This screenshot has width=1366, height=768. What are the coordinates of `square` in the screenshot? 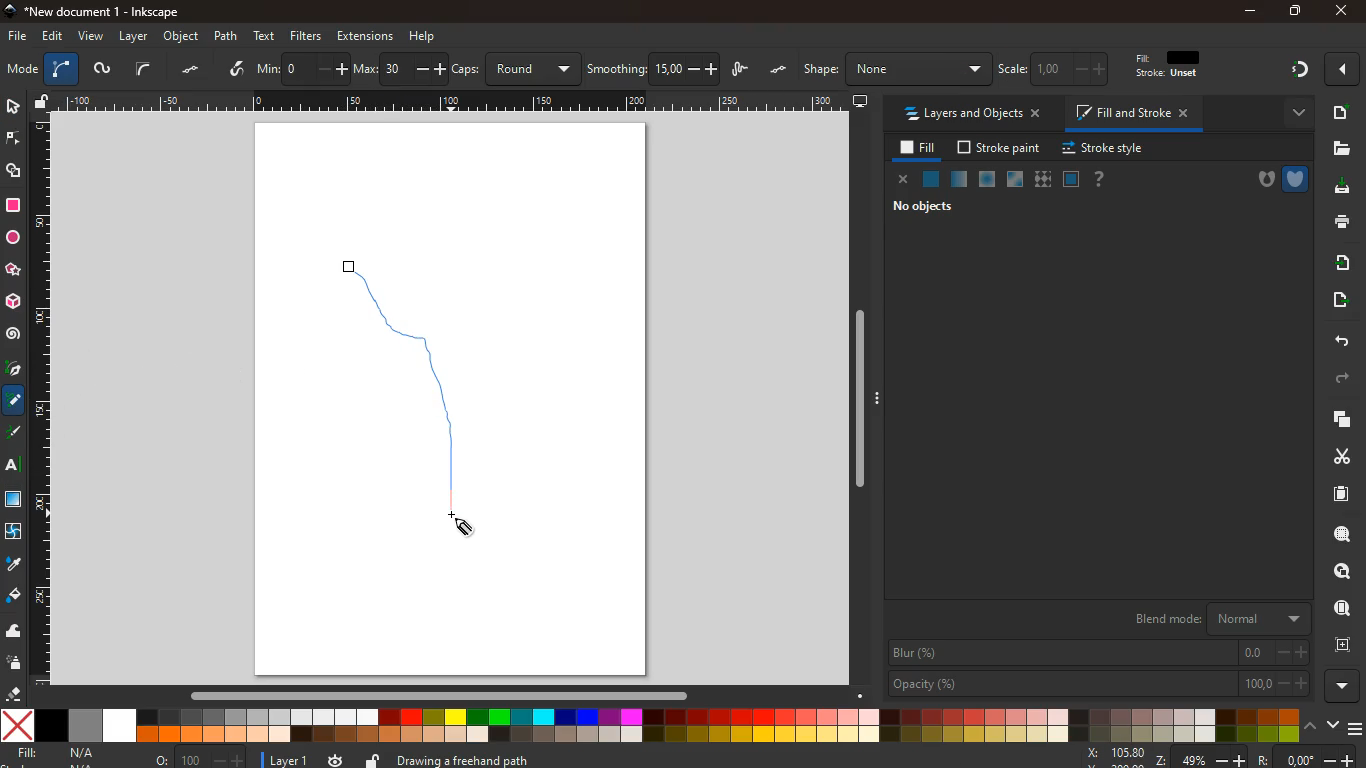 It's located at (13, 204).